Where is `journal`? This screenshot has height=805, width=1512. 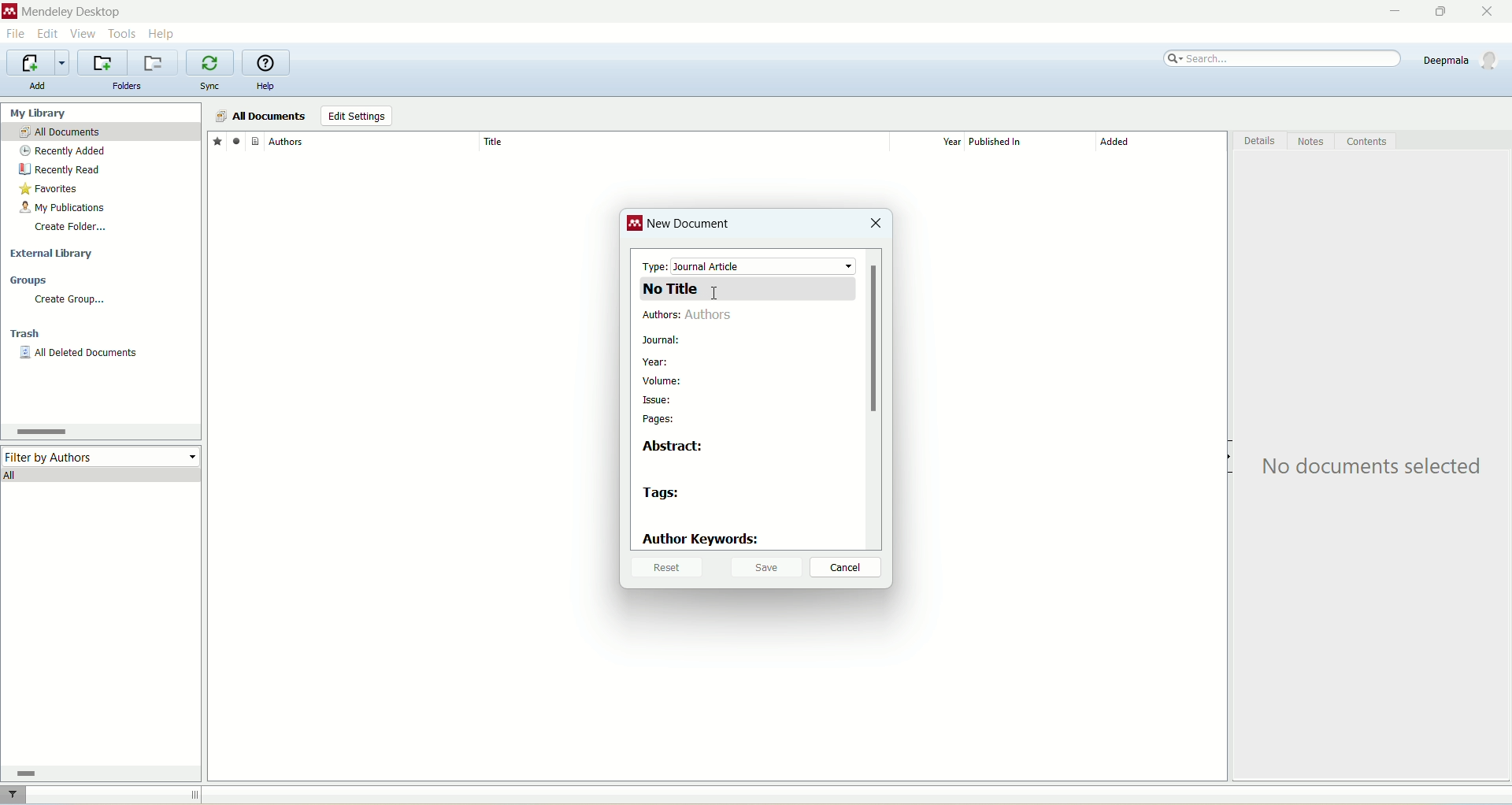 journal is located at coordinates (662, 340).